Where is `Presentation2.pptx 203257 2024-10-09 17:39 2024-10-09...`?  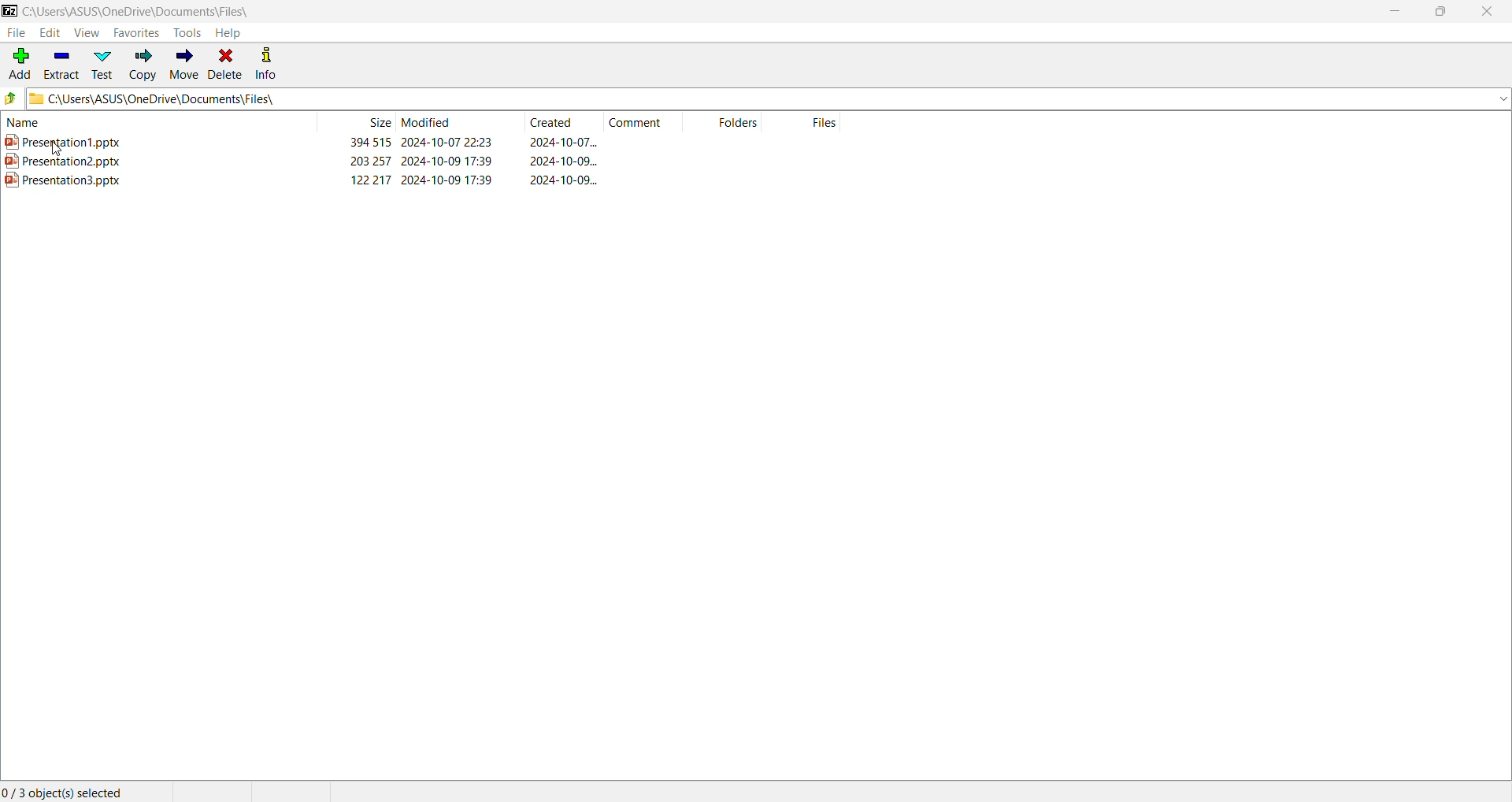
Presentation2.pptx 203257 2024-10-09 17:39 2024-10-09... is located at coordinates (314, 161).